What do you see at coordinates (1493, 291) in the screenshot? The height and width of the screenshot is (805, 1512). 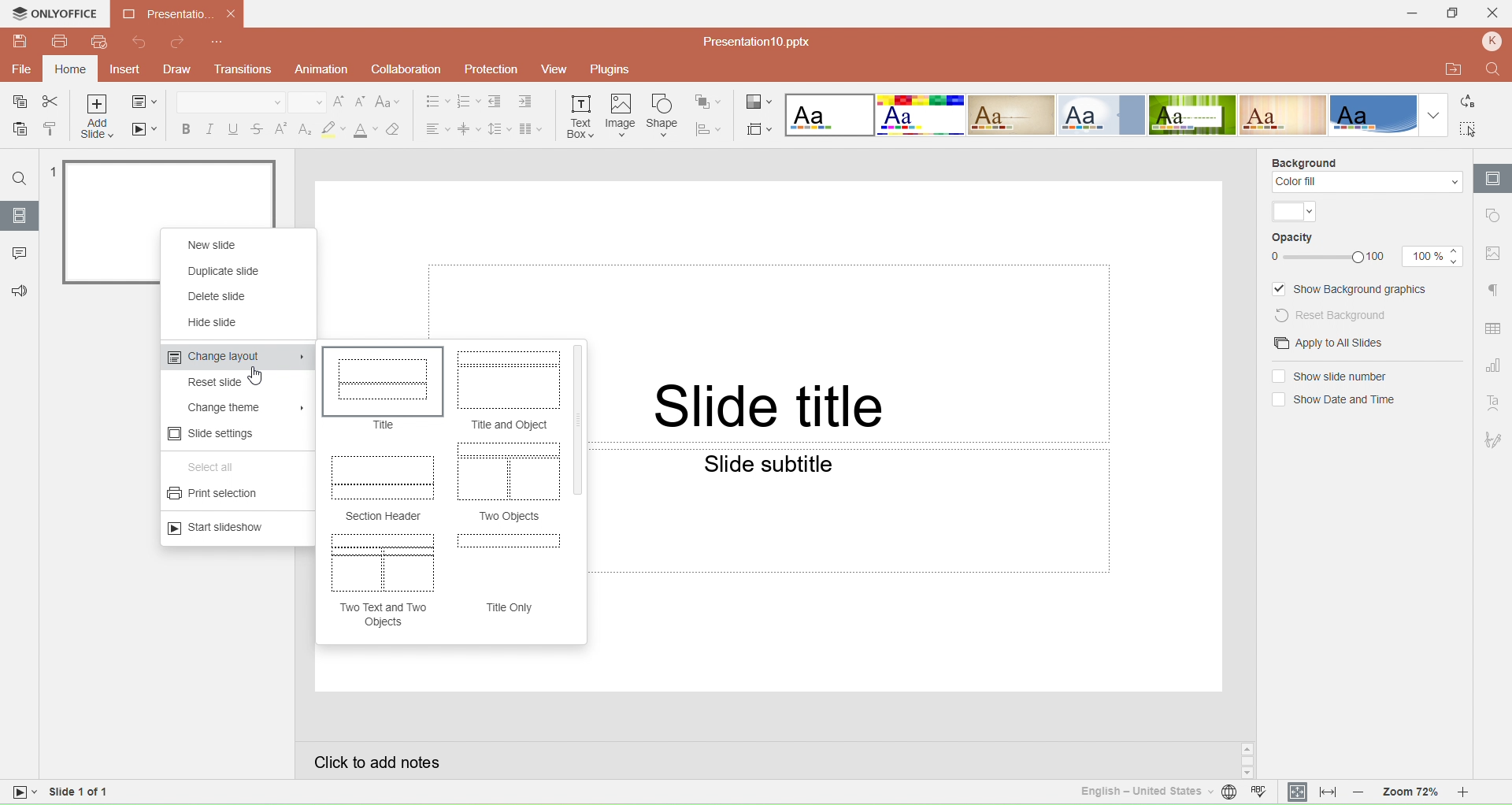 I see `Paragraph setting` at bounding box center [1493, 291].